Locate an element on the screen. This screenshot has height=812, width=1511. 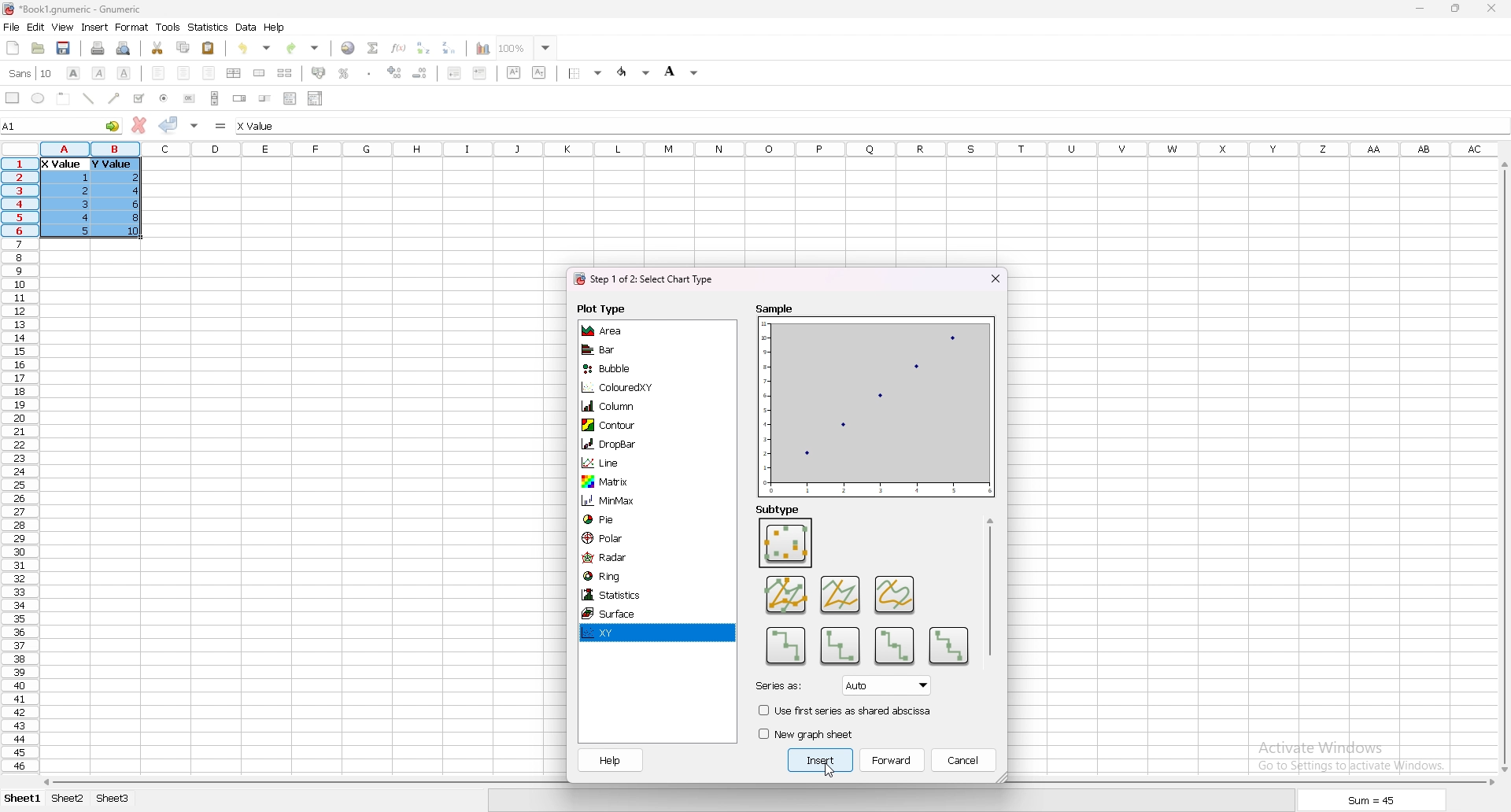
format is located at coordinates (132, 27).